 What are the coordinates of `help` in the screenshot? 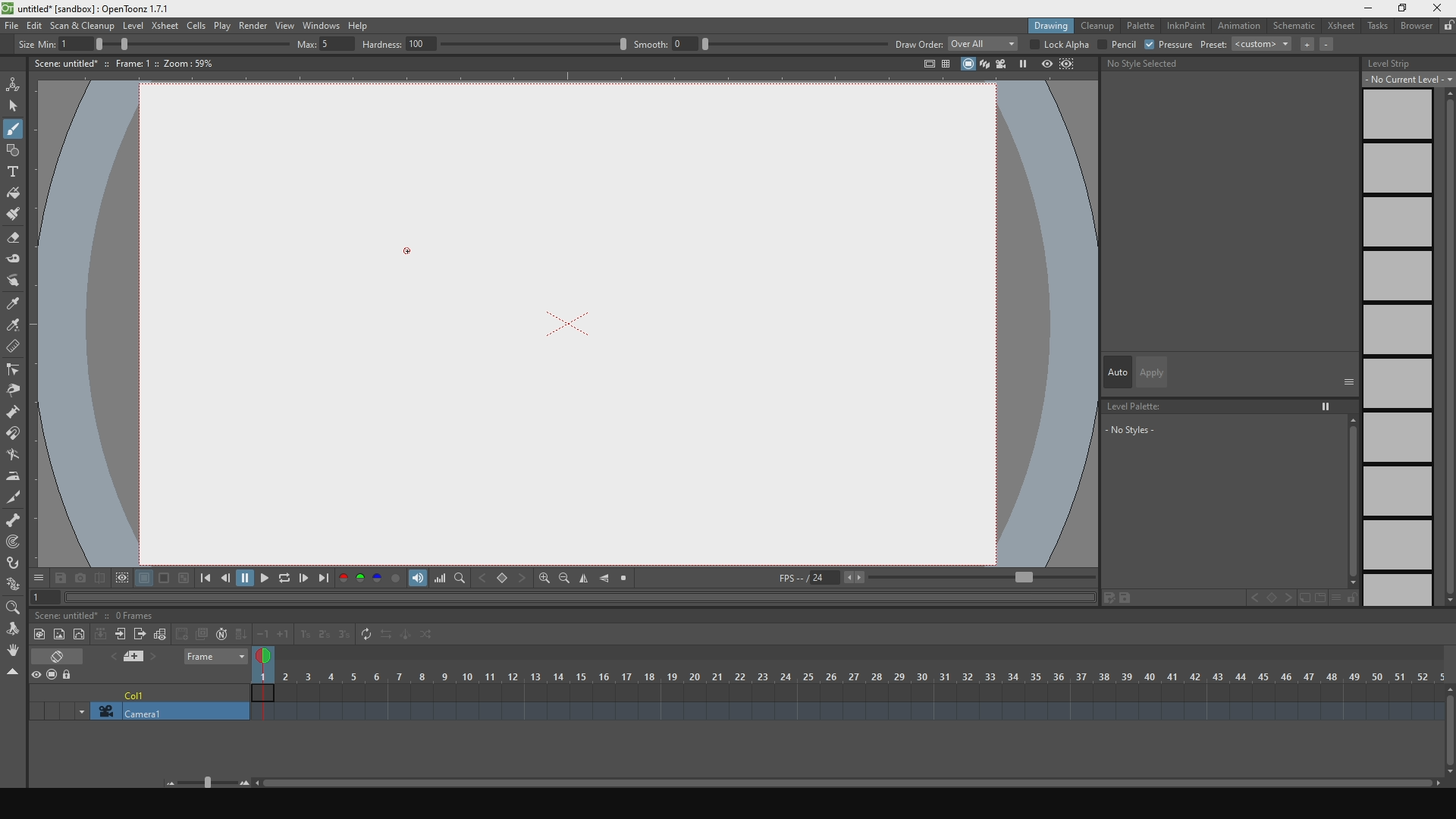 It's located at (364, 23).